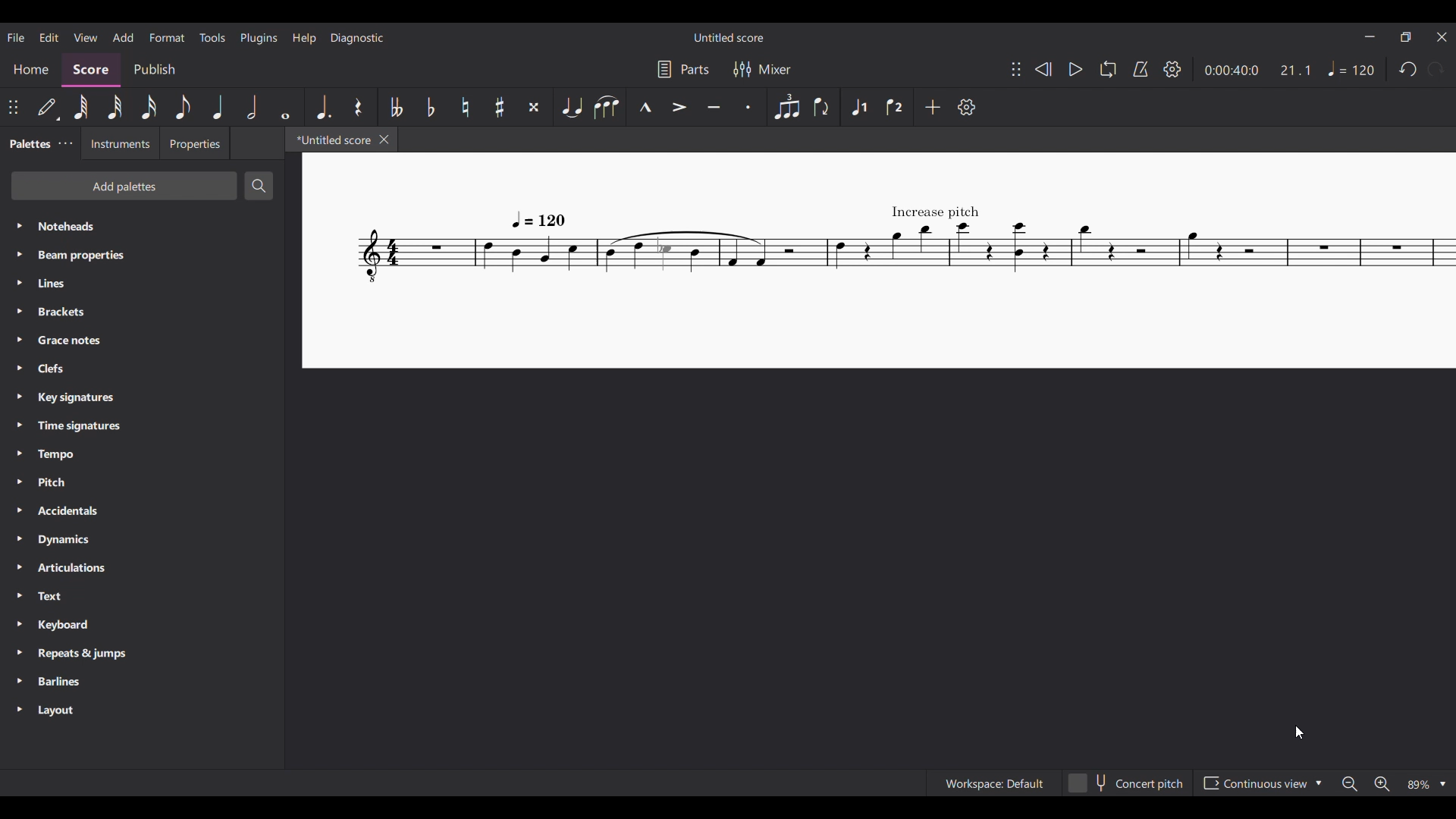 The image size is (1456, 819). Describe the element at coordinates (858, 107) in the screenshot. I see `Voice 1` at that location.